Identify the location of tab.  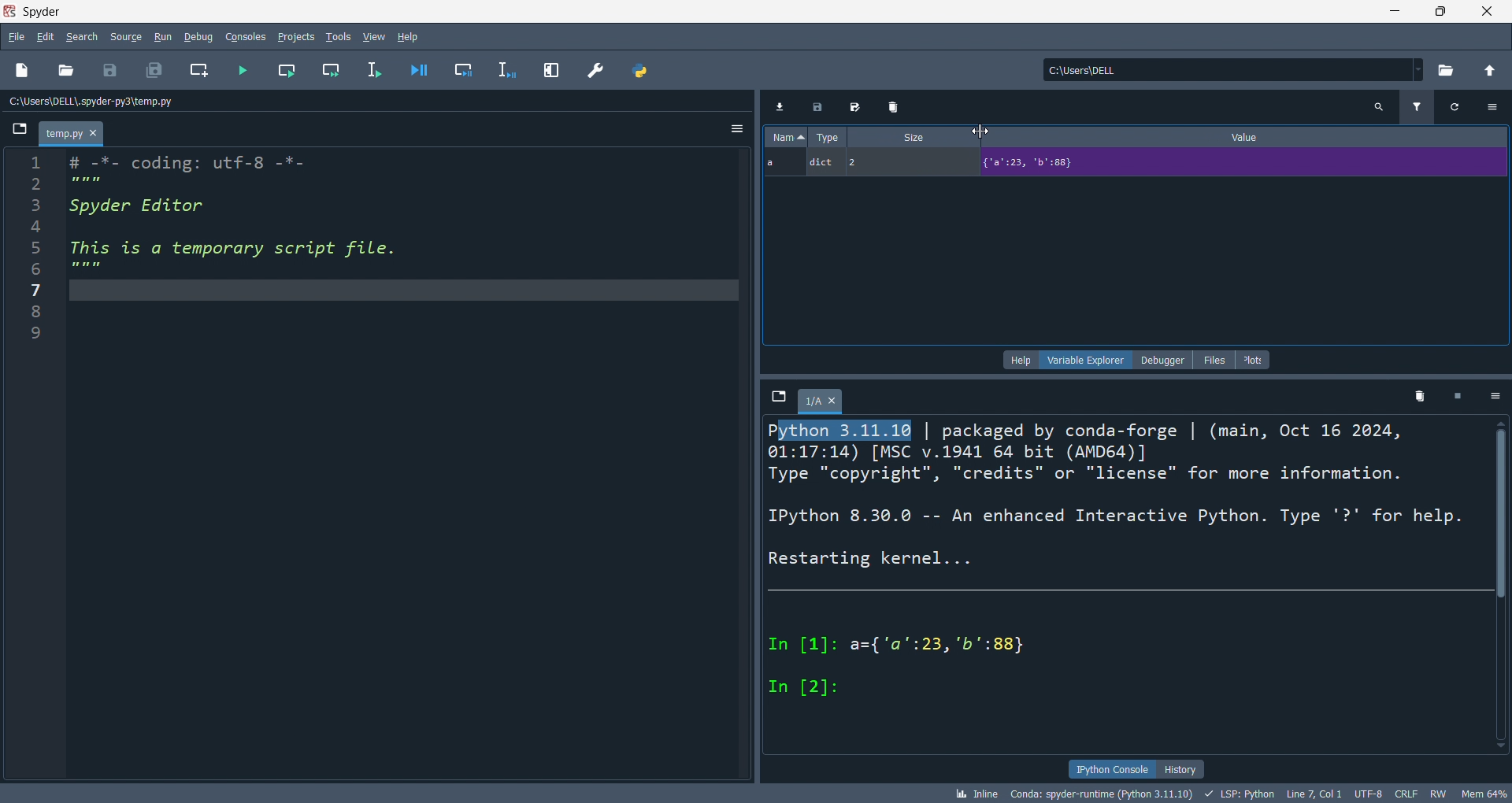
(69, 134).